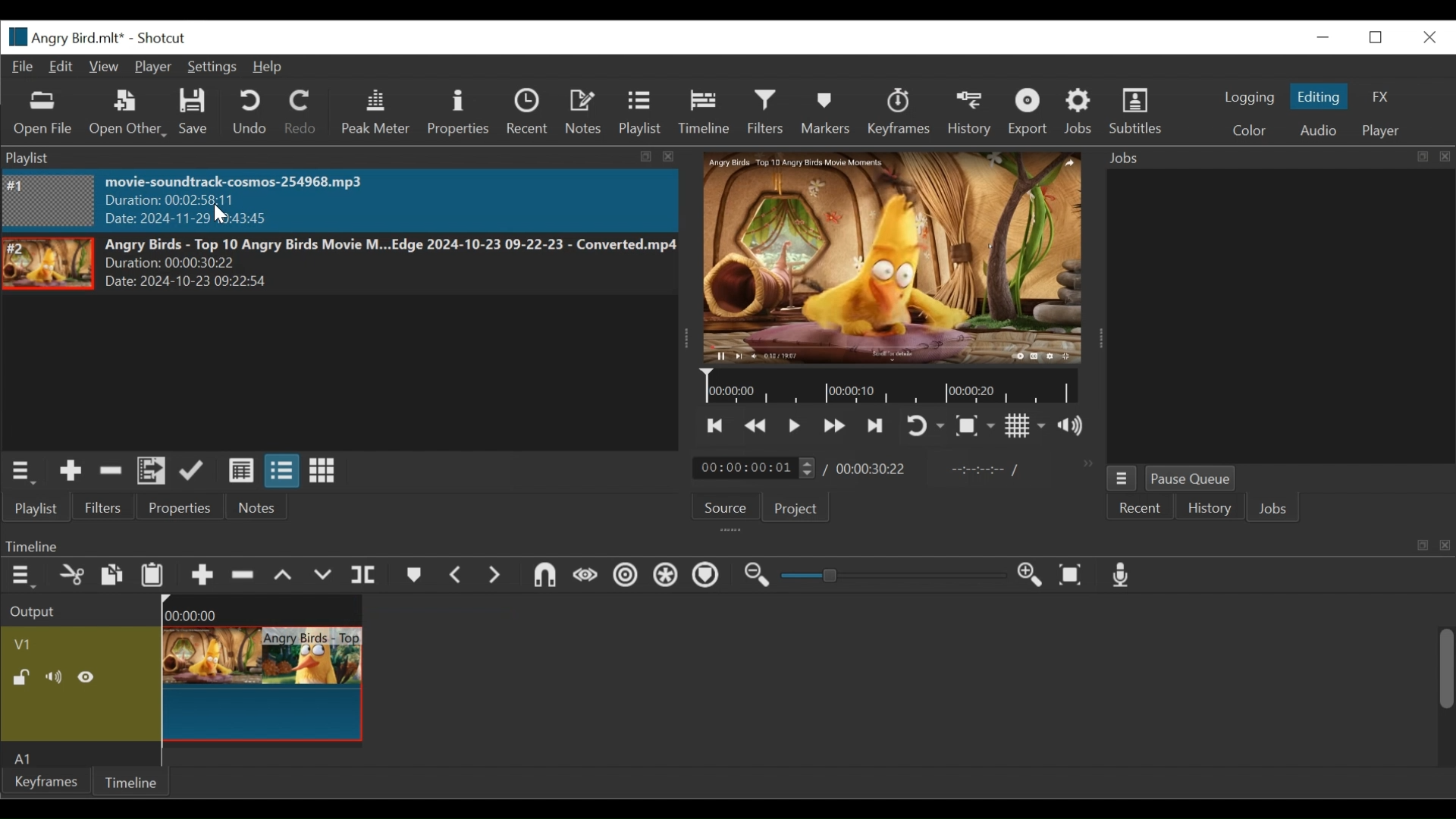  Describe the element at coordinates (832, 426) in the screenshot. I see `Play quickly forward` at that location.